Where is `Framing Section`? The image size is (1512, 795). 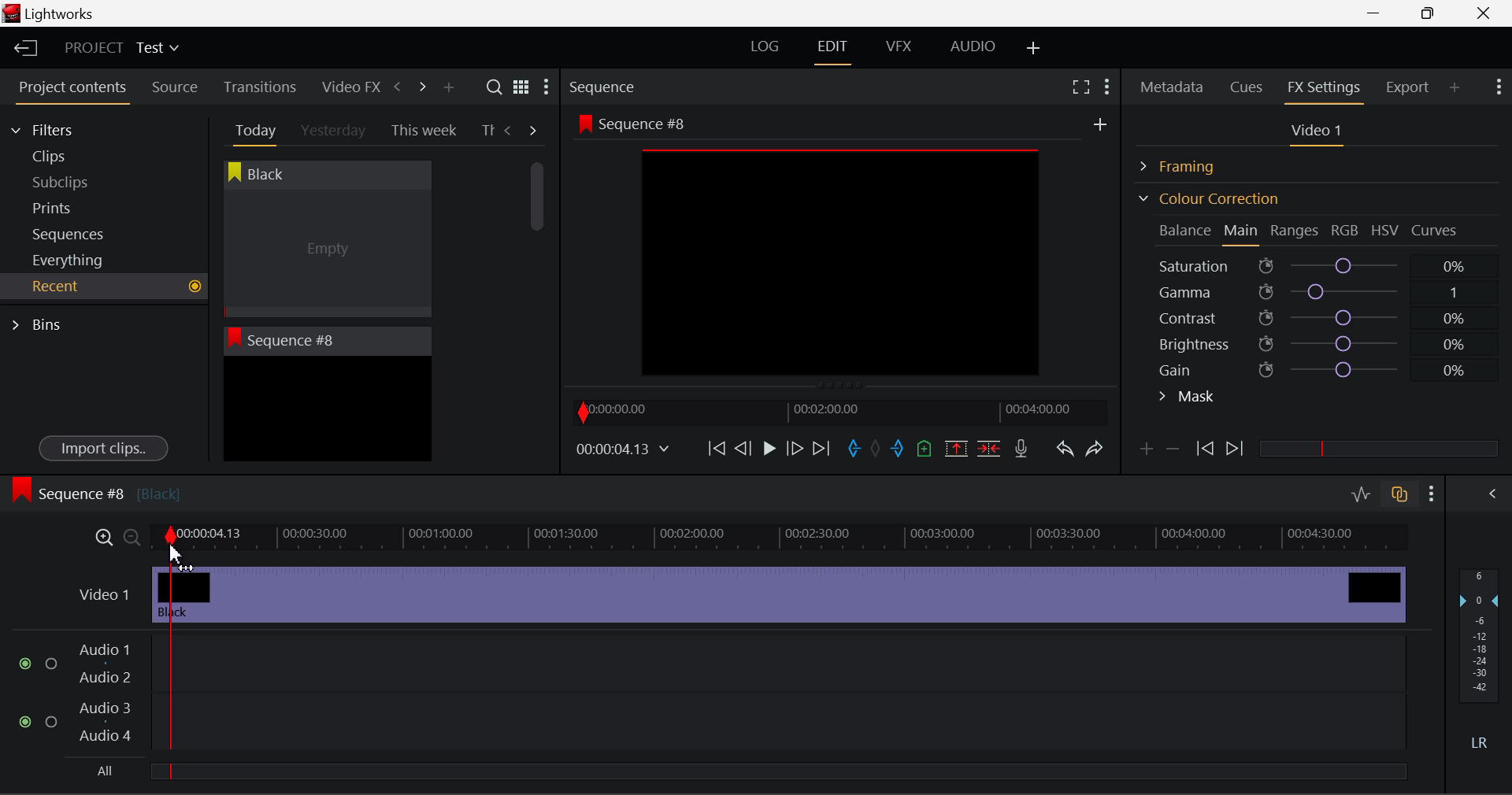 Framing Section is located at coordinates (1190, 164).